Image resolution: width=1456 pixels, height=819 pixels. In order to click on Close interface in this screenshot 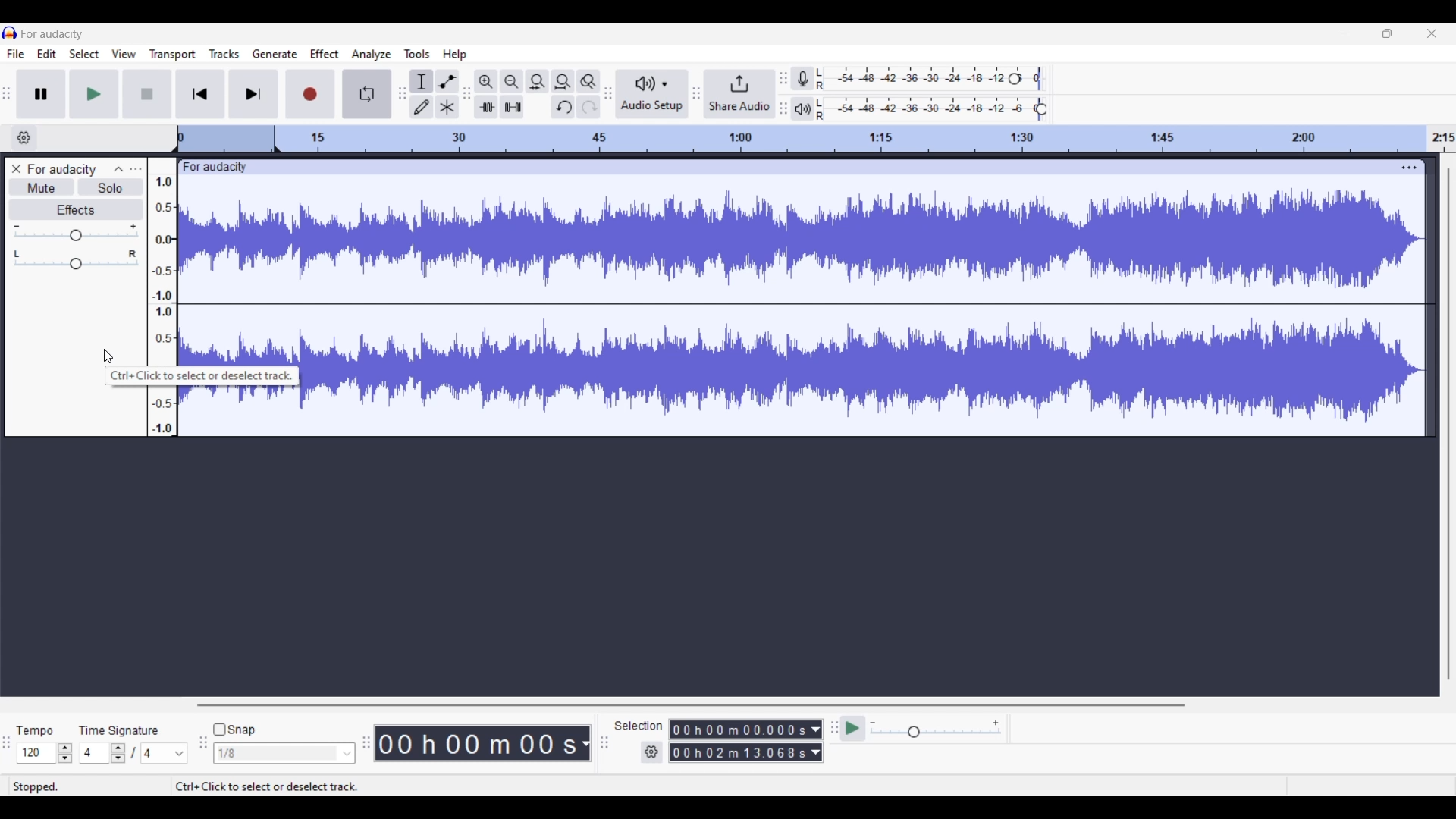, I will do `click(1432, 33)`.